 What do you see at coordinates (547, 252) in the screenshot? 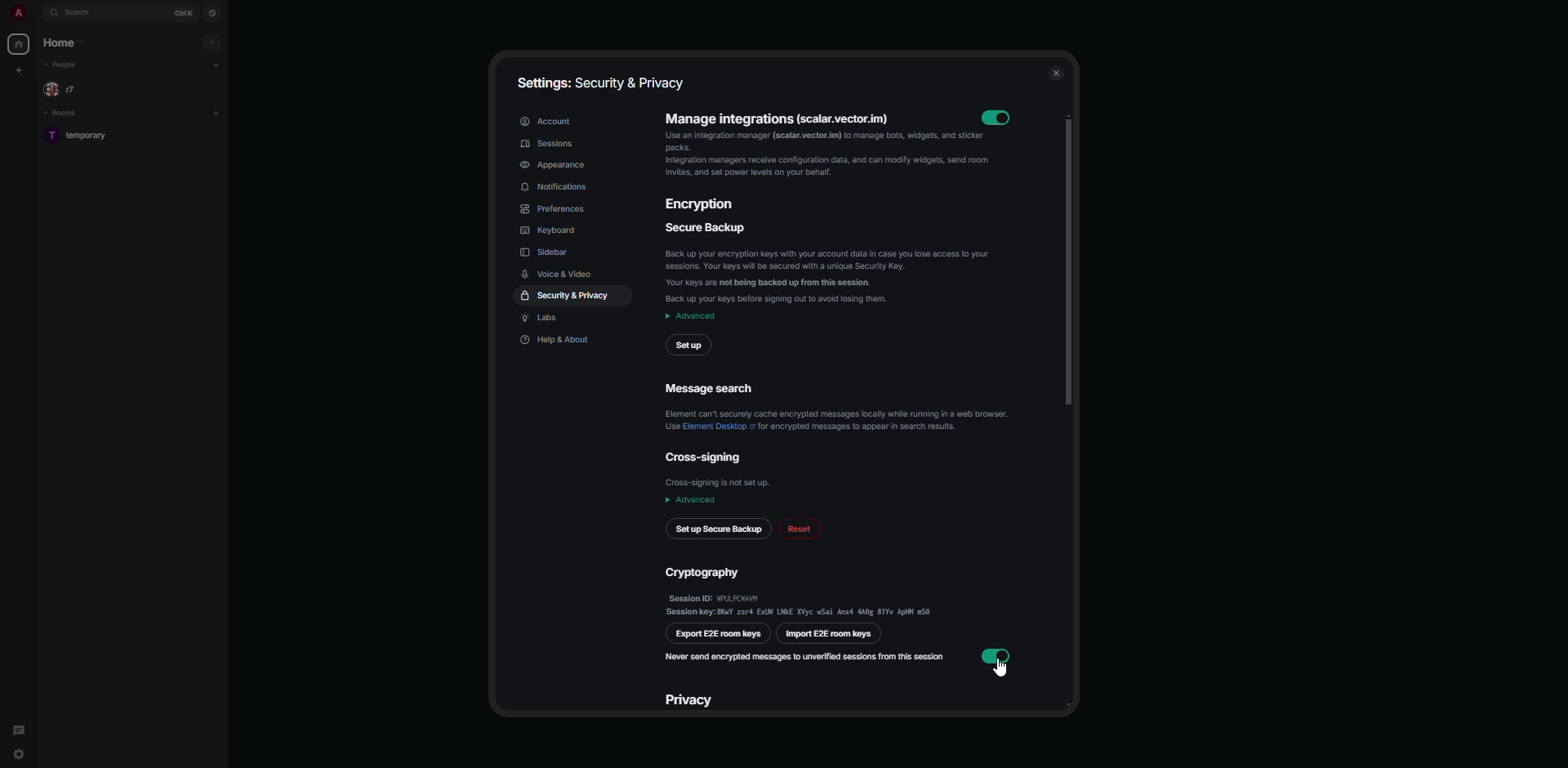
I see `sidebar` at bounding box center [547, 252].